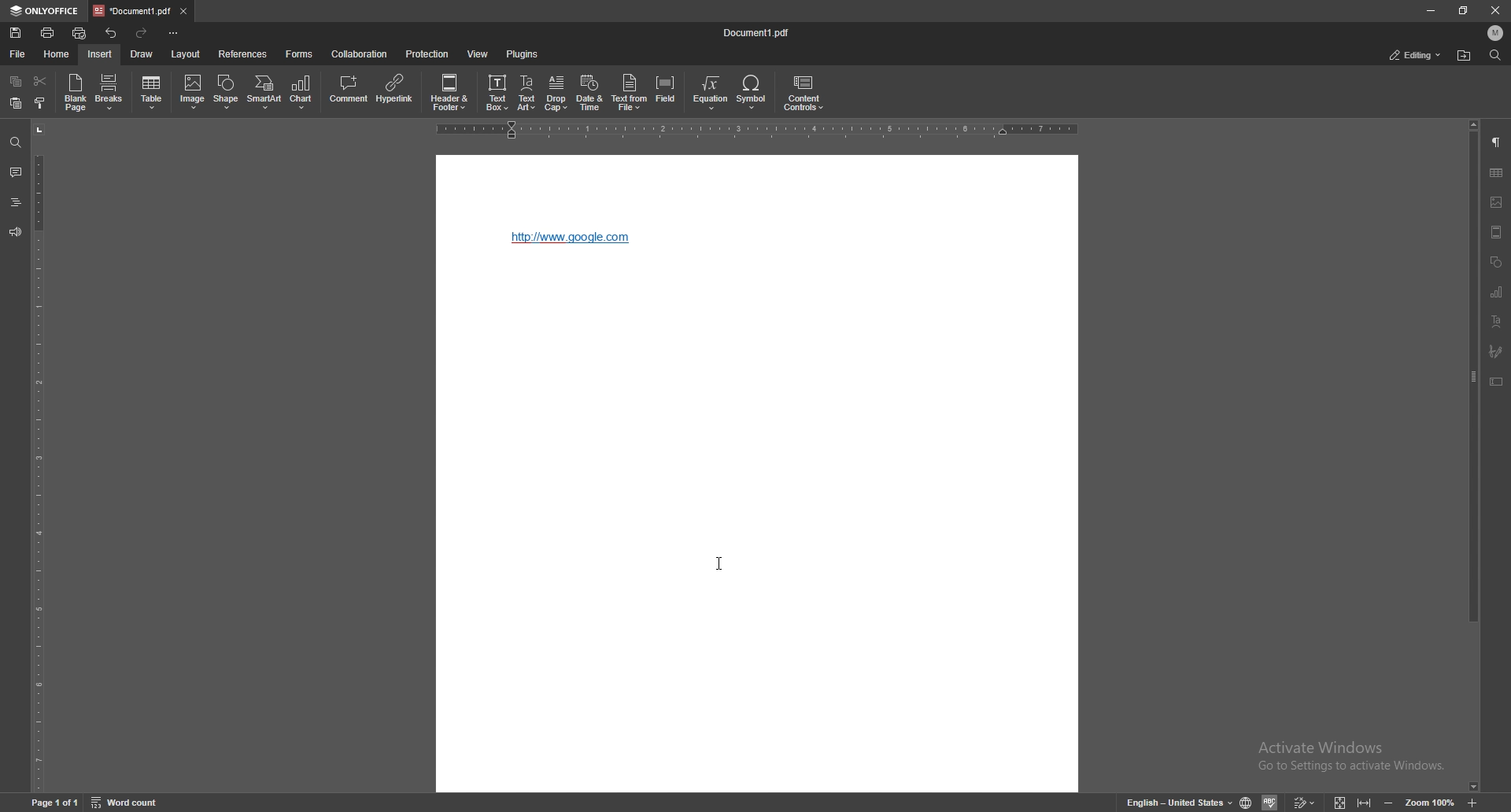 This screenshot has width=1511, height=812. Describe the element at coordinates (174, 33) in the screenshot. I see `configure toolbar` at that location.